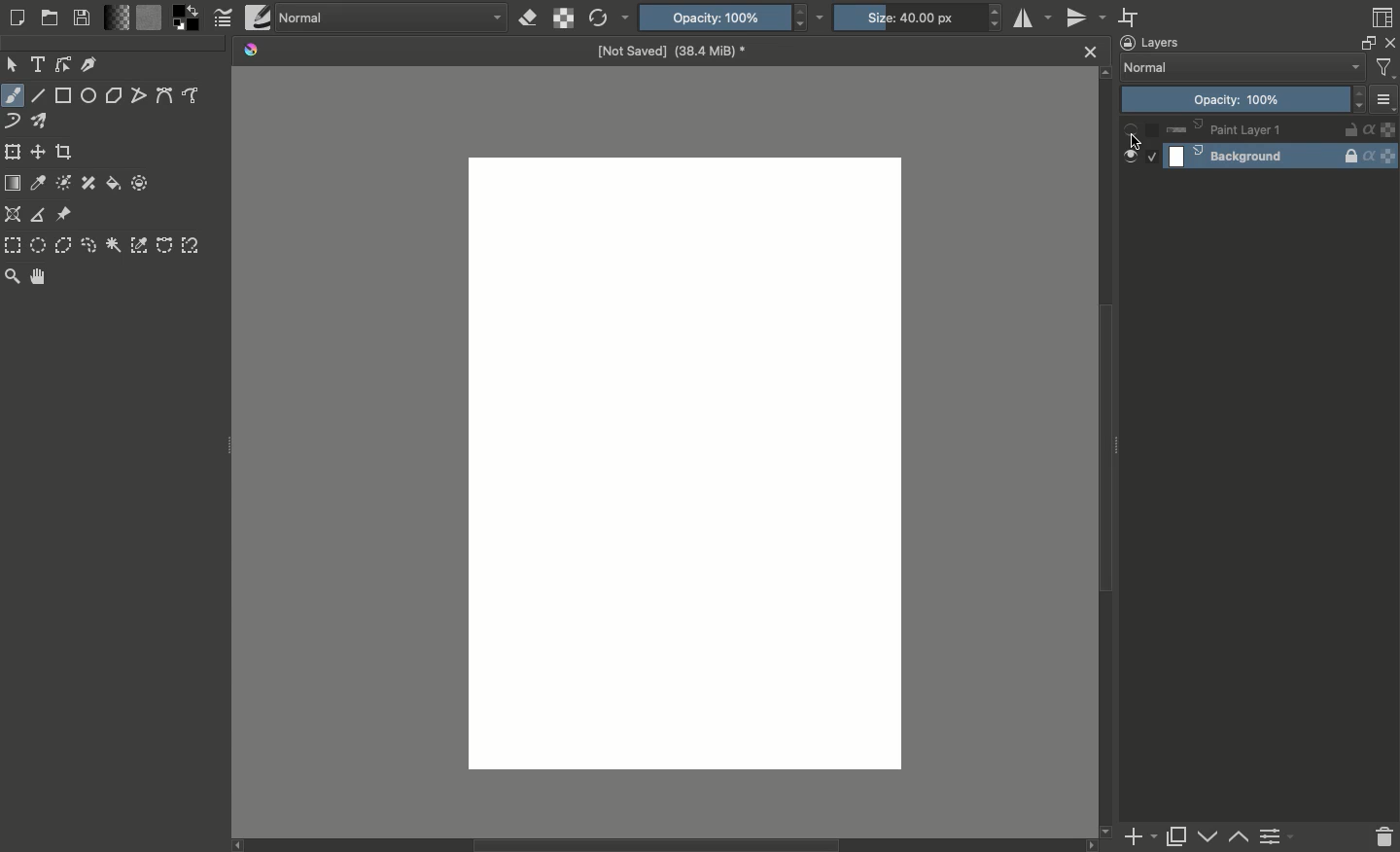 Image resolution: width=1400 pixels, height=852 pixels. Describe the element at coordinates (65, 247) in the screenshot. I see `Polygon selection tool` at that location.